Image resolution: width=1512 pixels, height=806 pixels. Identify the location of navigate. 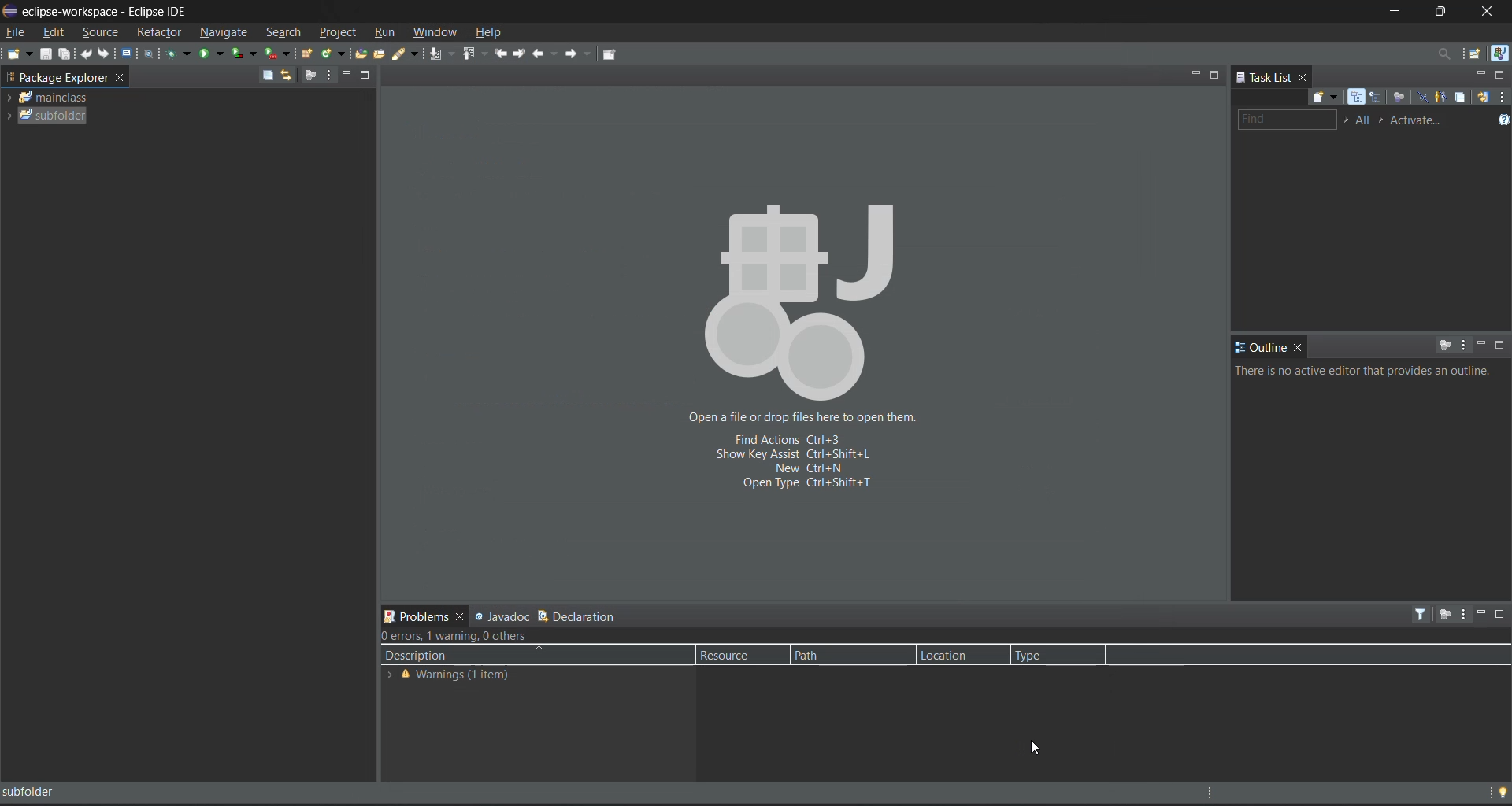
(222, 32).